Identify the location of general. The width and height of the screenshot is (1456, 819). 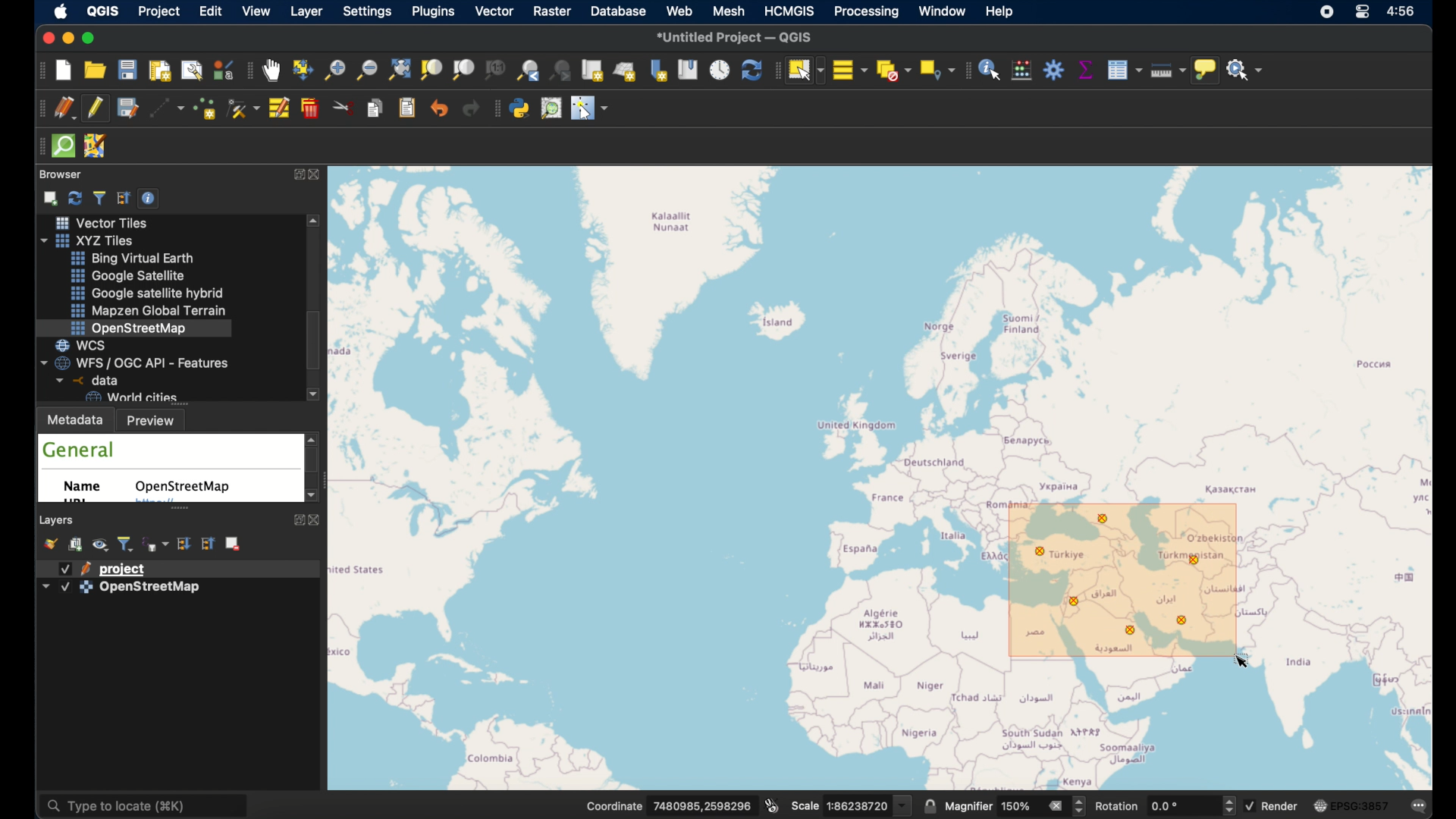
(80, 450).